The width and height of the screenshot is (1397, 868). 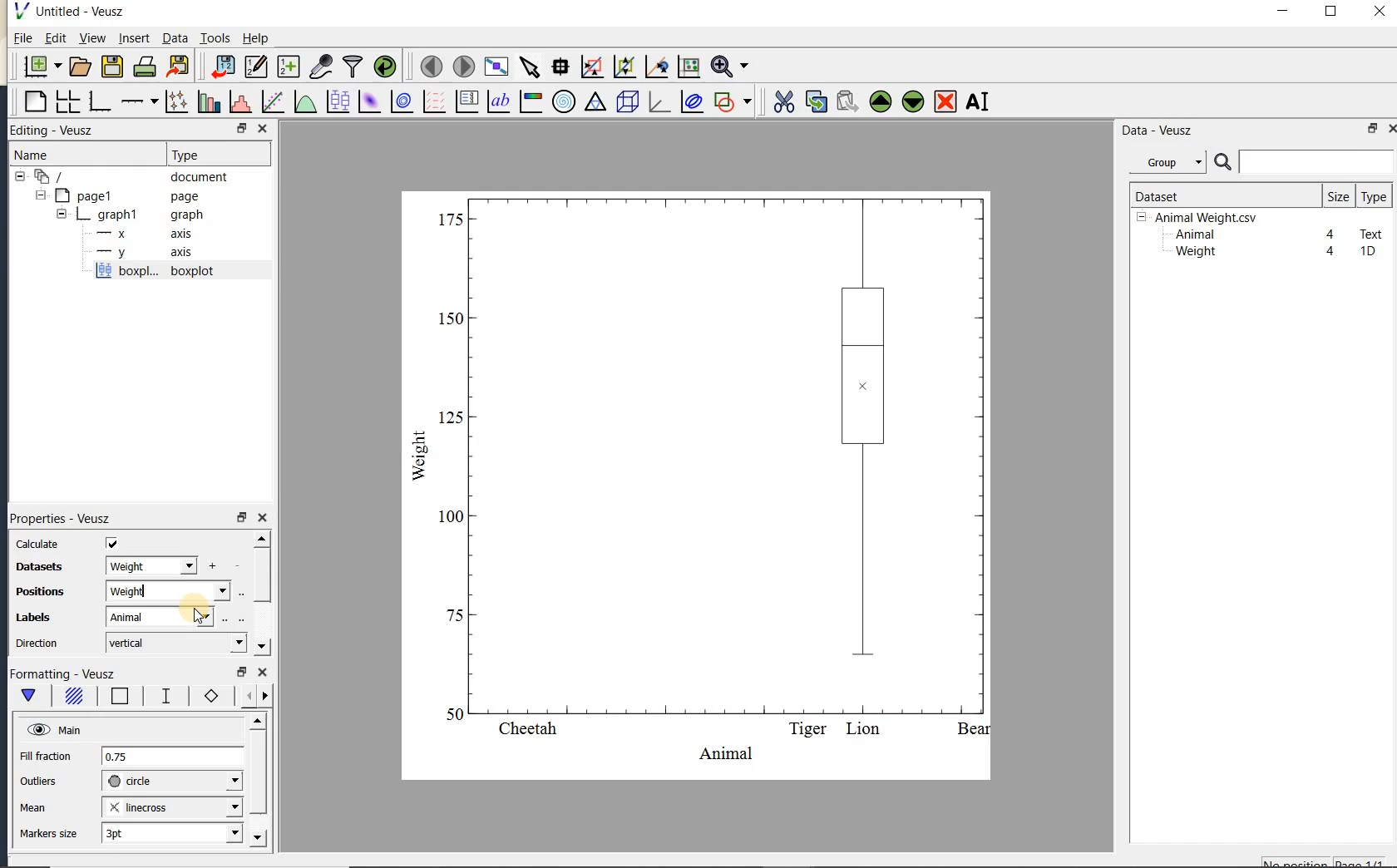 What do you see at coordinates (49, 155) in the screenshot?
I see `Name` at bounding box center [49, 155].